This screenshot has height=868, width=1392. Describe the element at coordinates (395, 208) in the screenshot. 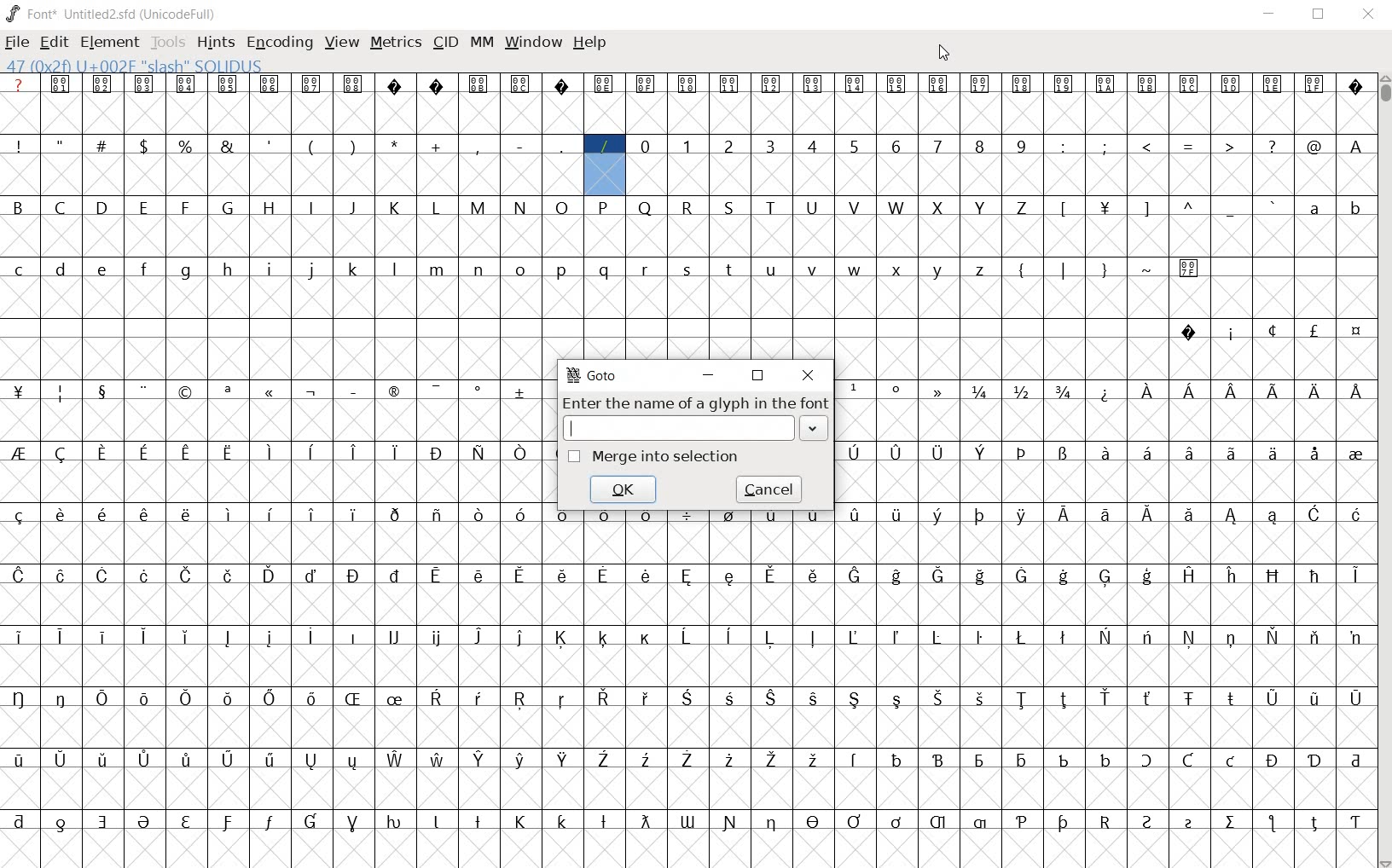

I see `glyph` at that location.